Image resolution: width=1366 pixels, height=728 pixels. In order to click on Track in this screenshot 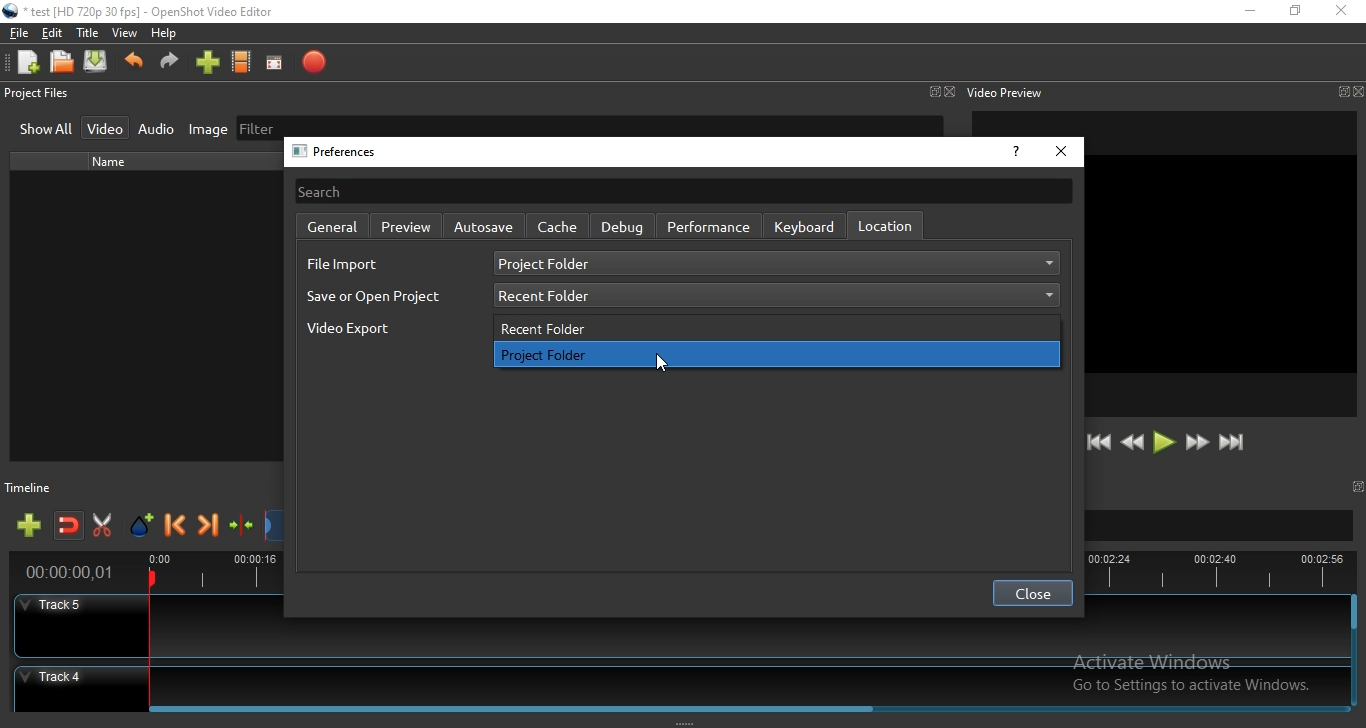, I will do `click(678, 682)`.